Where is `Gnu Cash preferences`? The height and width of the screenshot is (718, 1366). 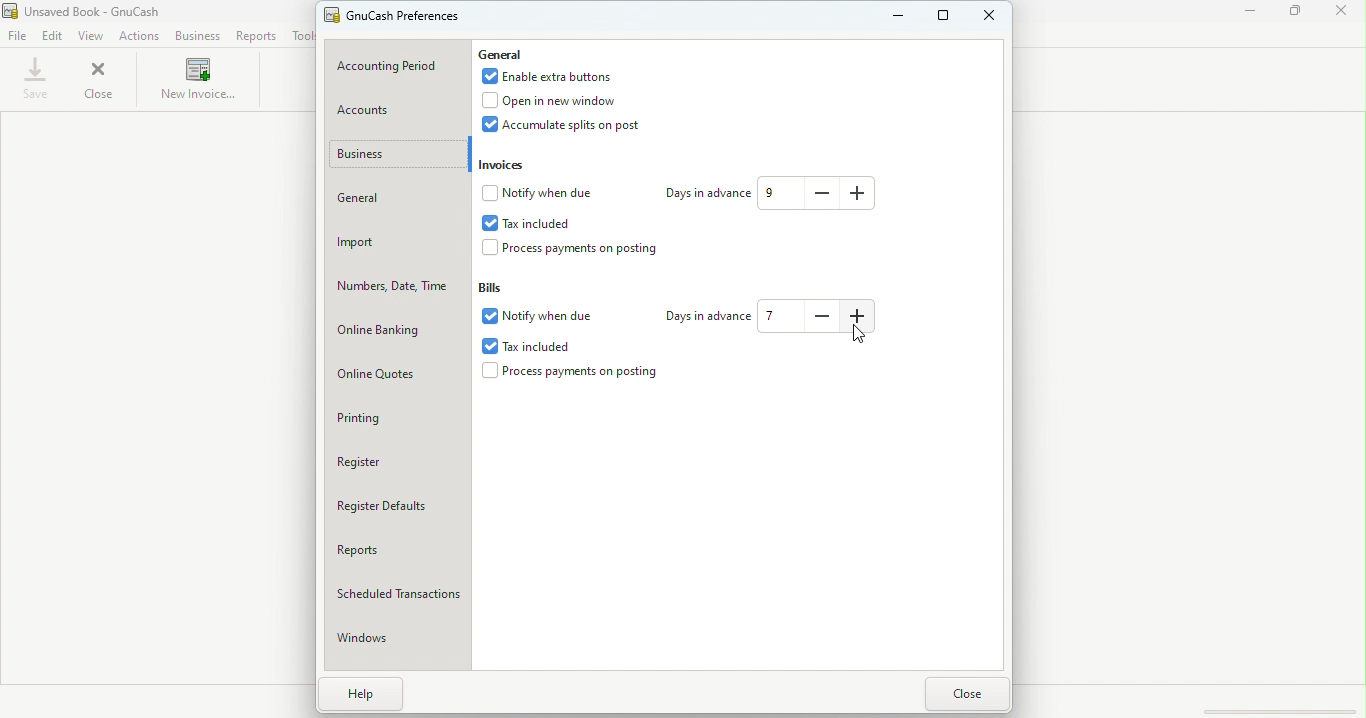
Gnu Cash preferences is located at coordinates (396, 17).